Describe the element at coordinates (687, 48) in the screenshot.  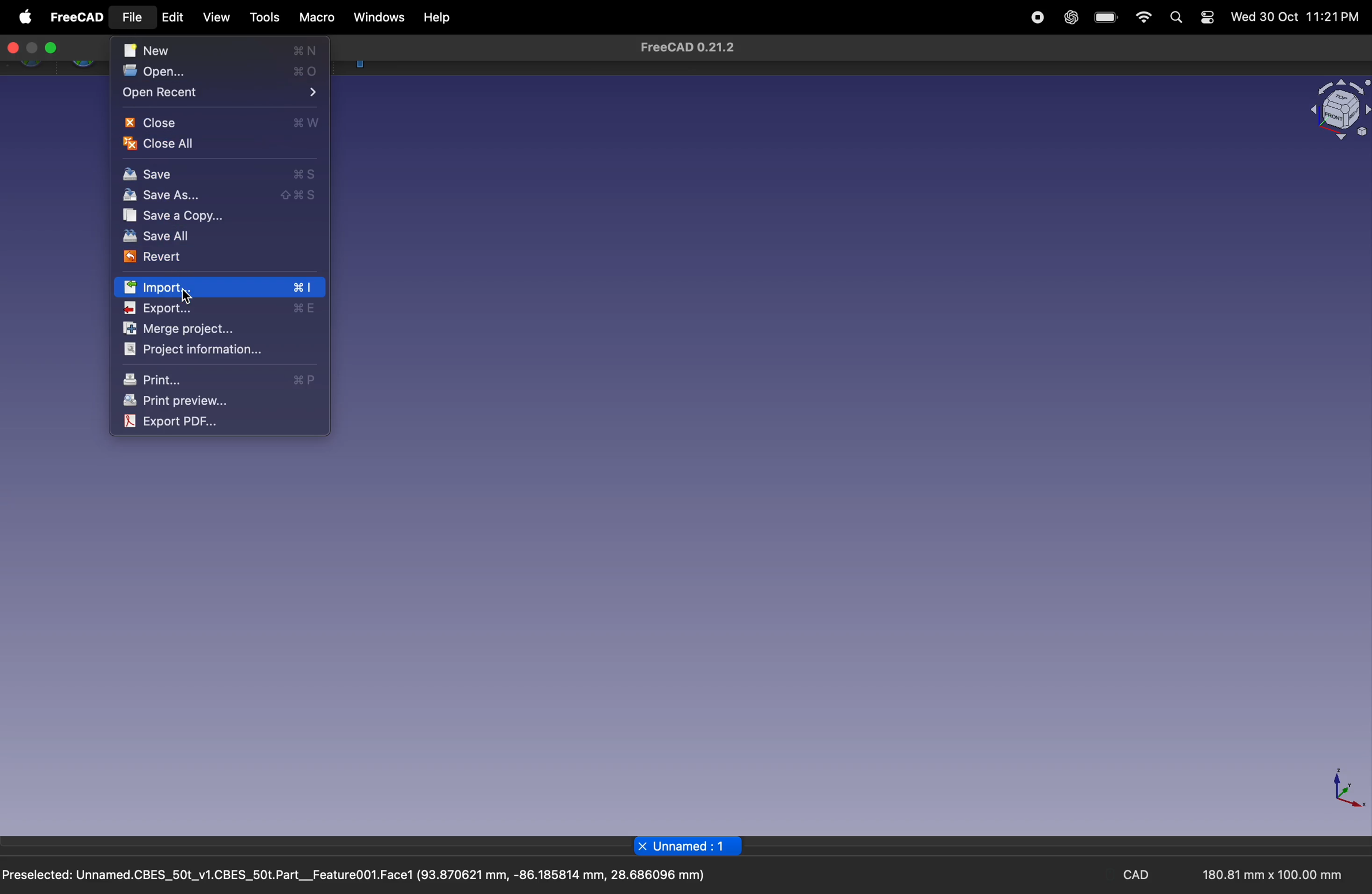
I see `FreeCAD 0.21.2` at that location.